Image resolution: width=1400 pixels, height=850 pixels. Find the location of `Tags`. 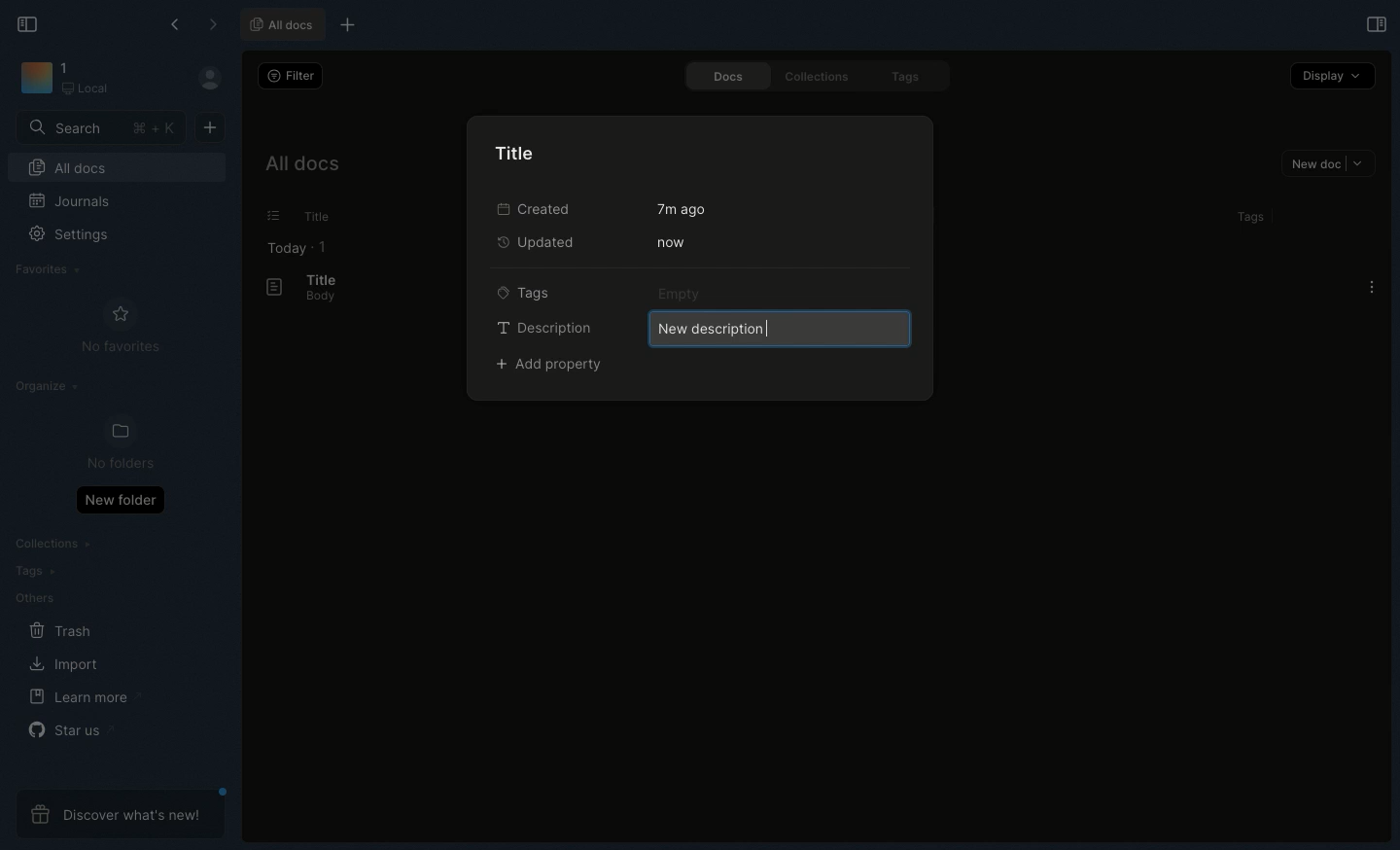

Tags is located at coordinates (909, 78).